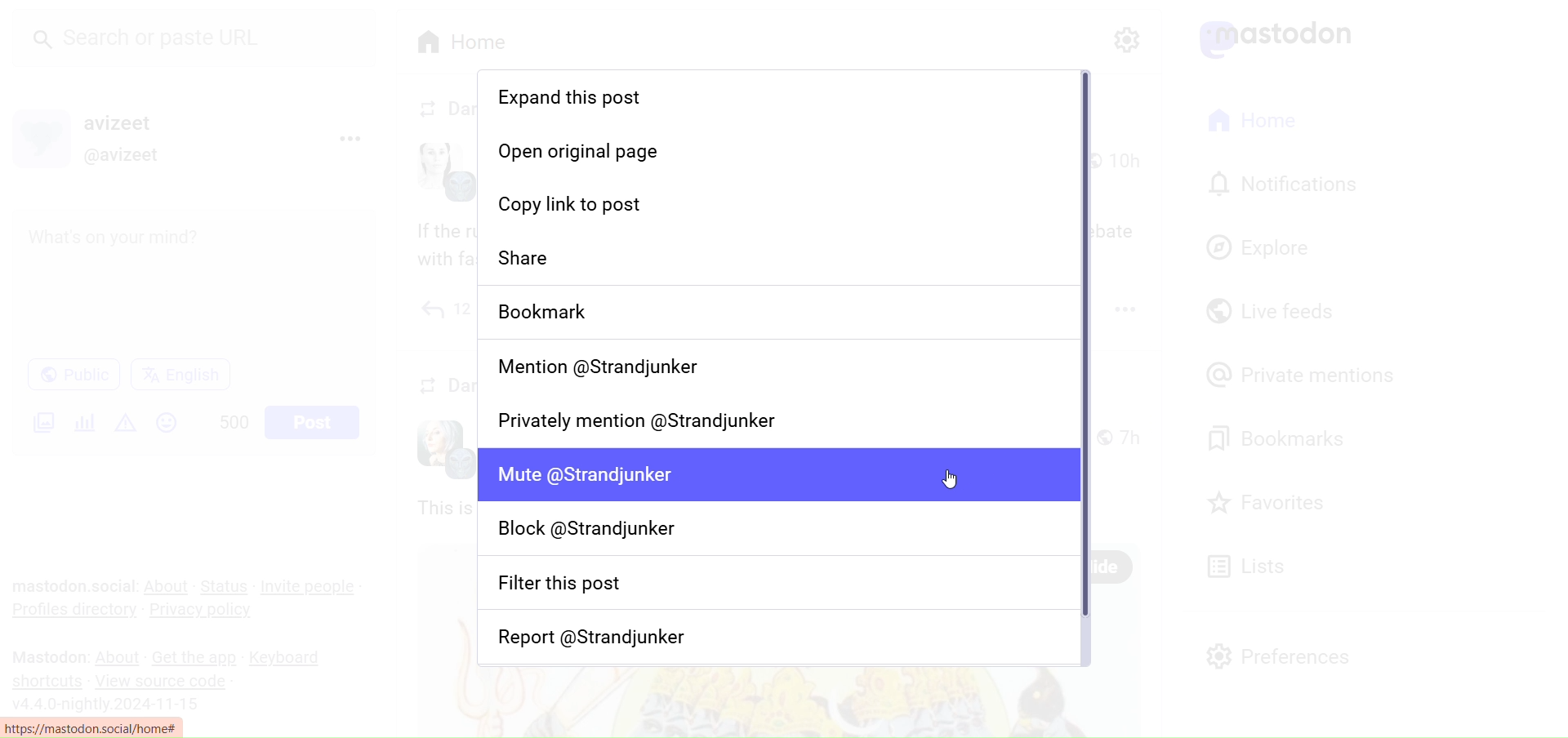 Image resolution: width=1568 pixels, height=738 pixels. What do you see at coordinates (779, 204) in the screenshot?
I see `Copy Link to Post` at bounding box center [779, 204].